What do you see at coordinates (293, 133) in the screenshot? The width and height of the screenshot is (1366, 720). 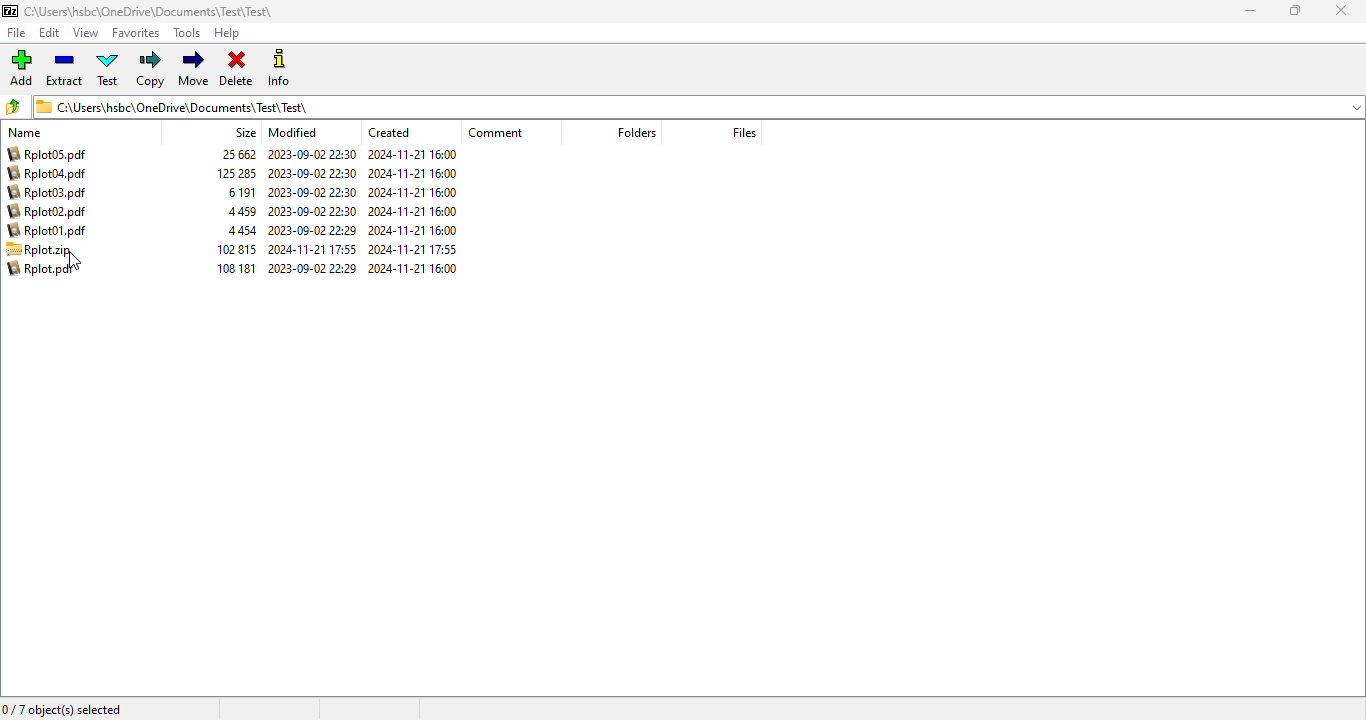 I see `modified` at bounding box center [293, 133].